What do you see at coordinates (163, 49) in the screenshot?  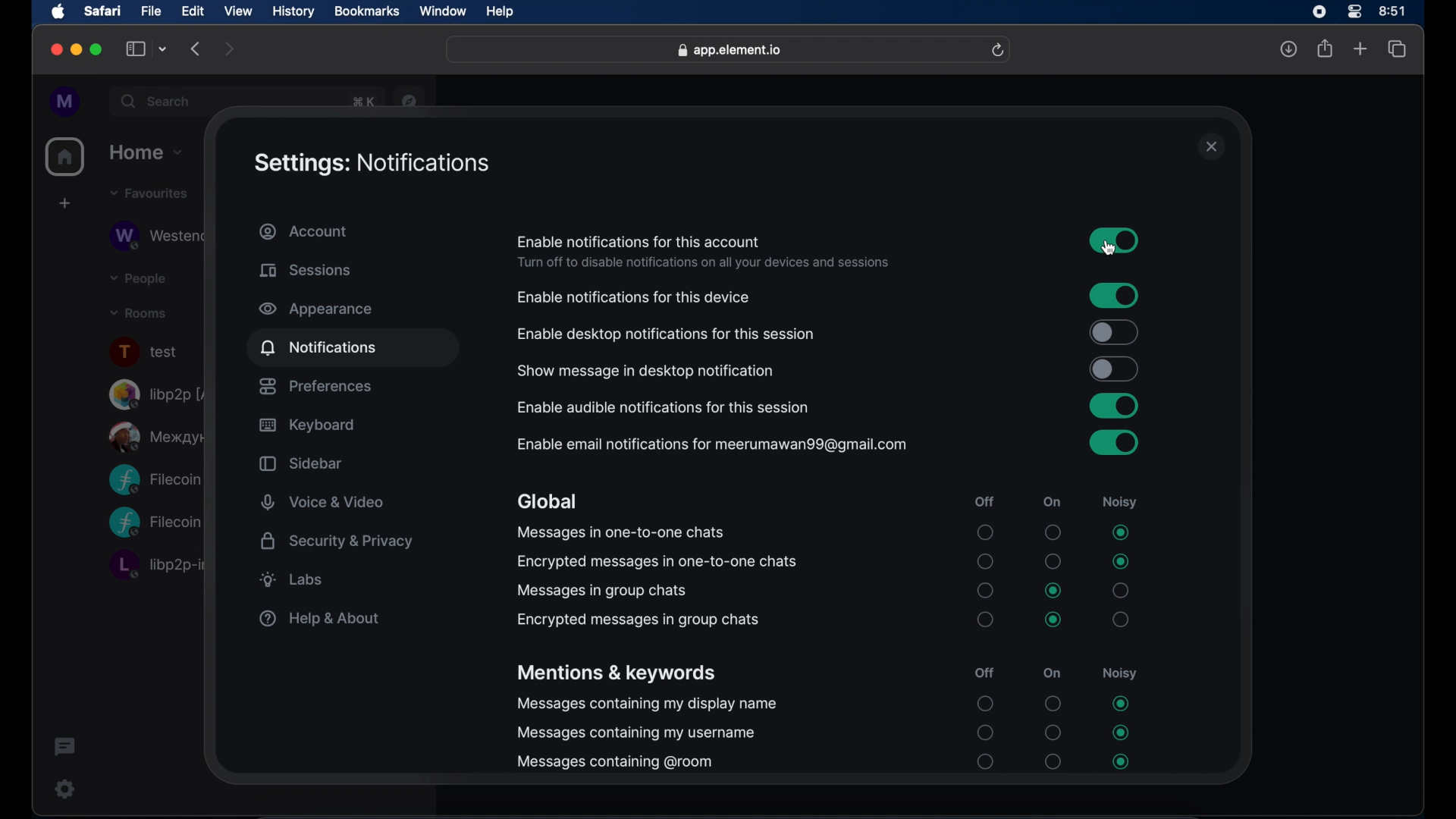 I see `tab group picker` at bounding box center [163, 49].